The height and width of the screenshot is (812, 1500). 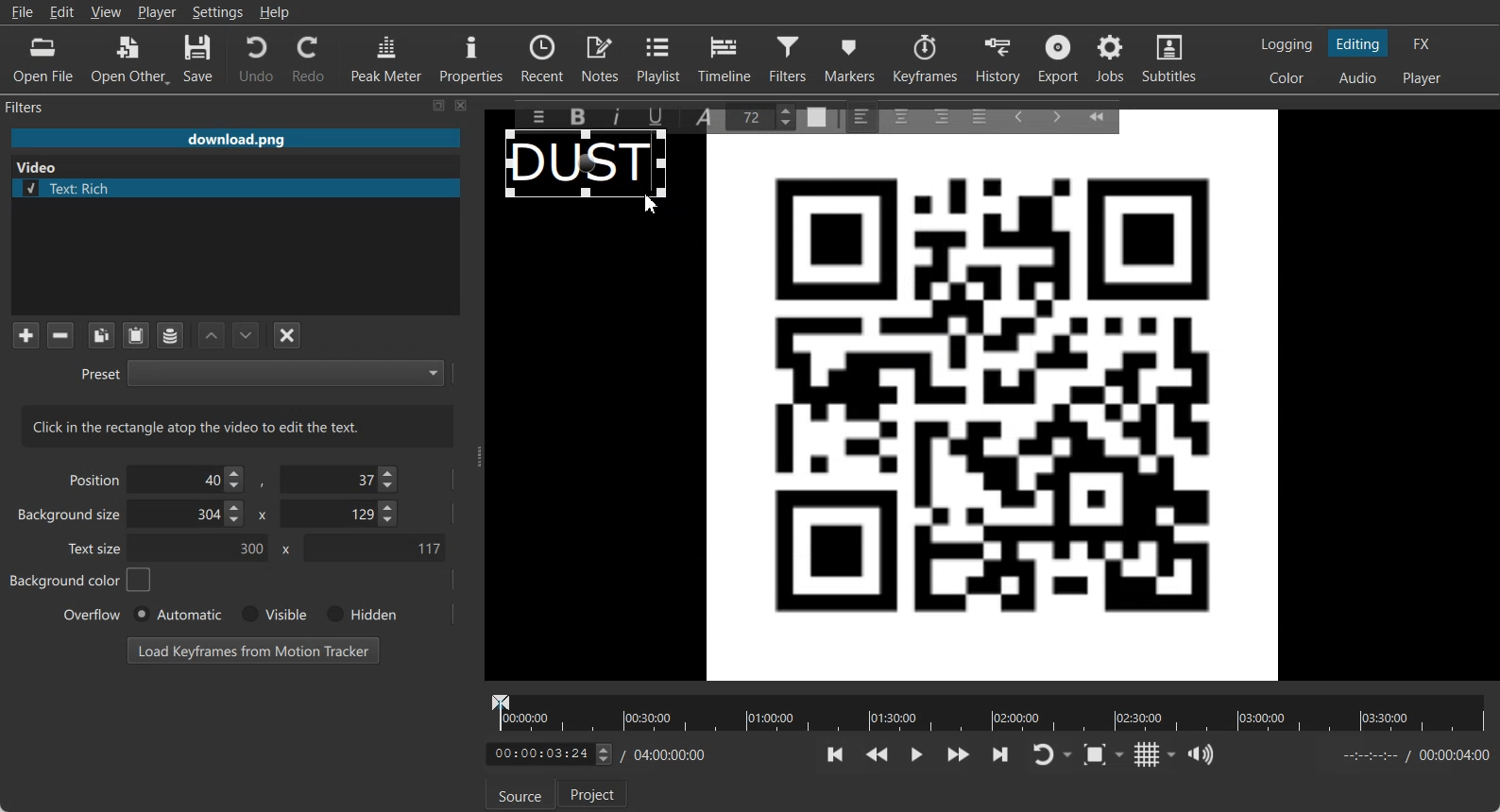 What do you see at coordinates (1069, 755) in the screenshot?
I see `Drop down box` at bounding box center [1069, 755].